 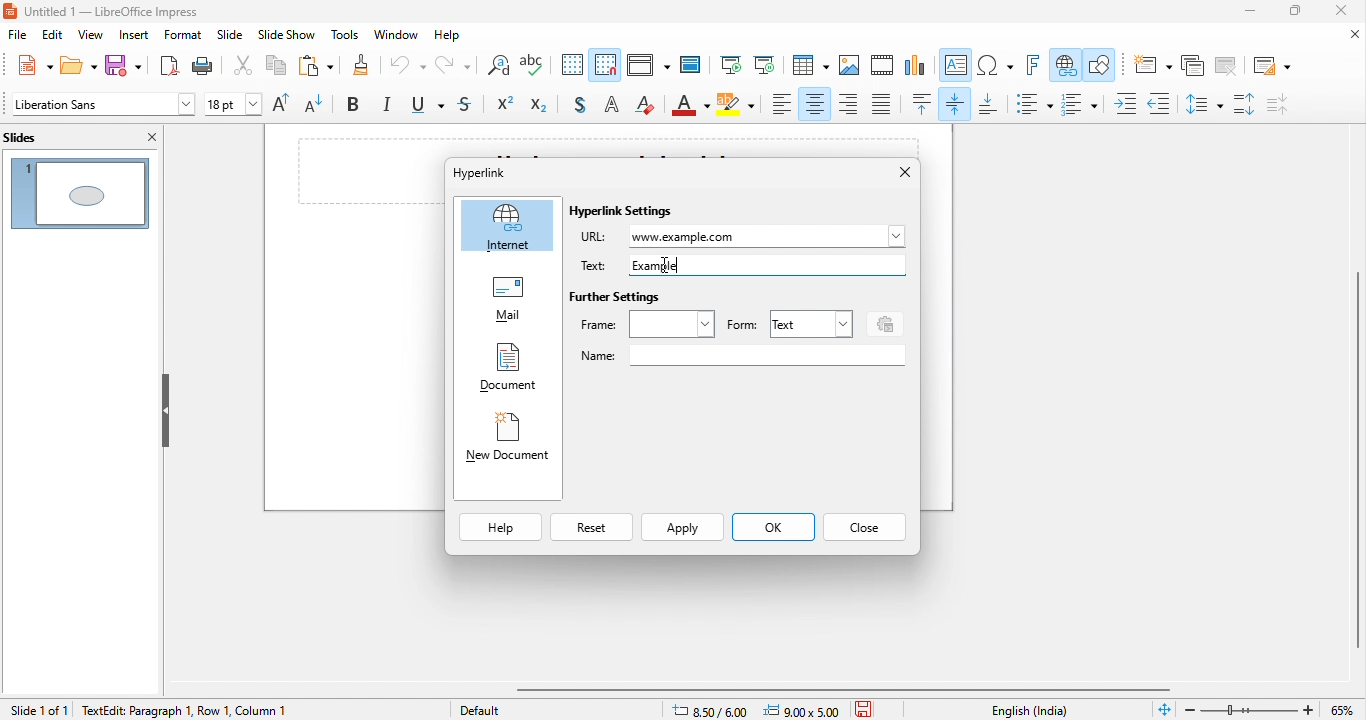 I want to click on align center, so click(x=815, y=104).